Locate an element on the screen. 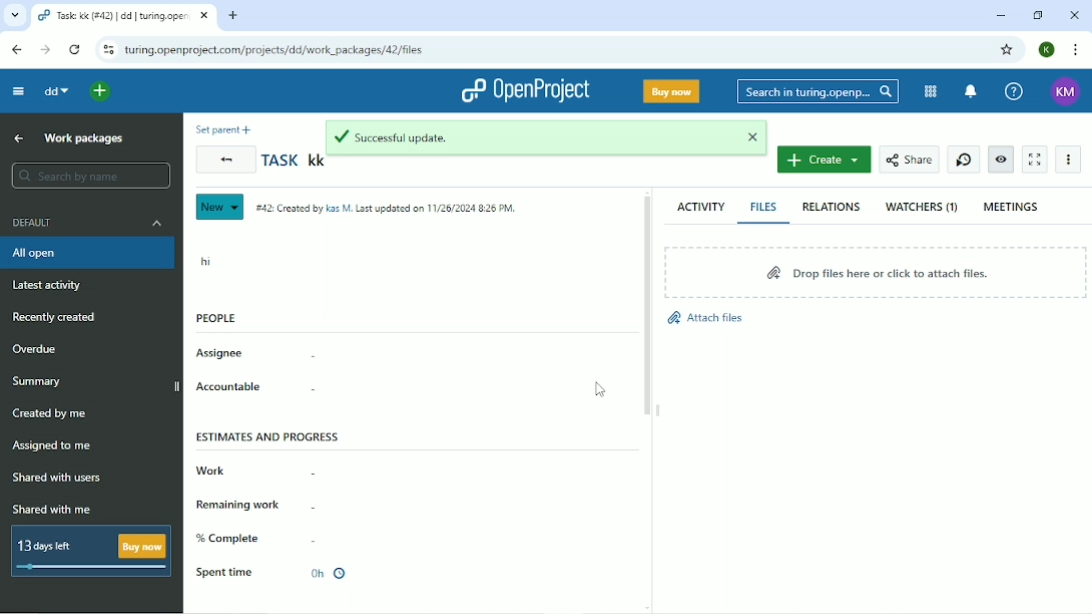 This screenshot has height=614, width=1092. K is located at coordinates (1046, 49).